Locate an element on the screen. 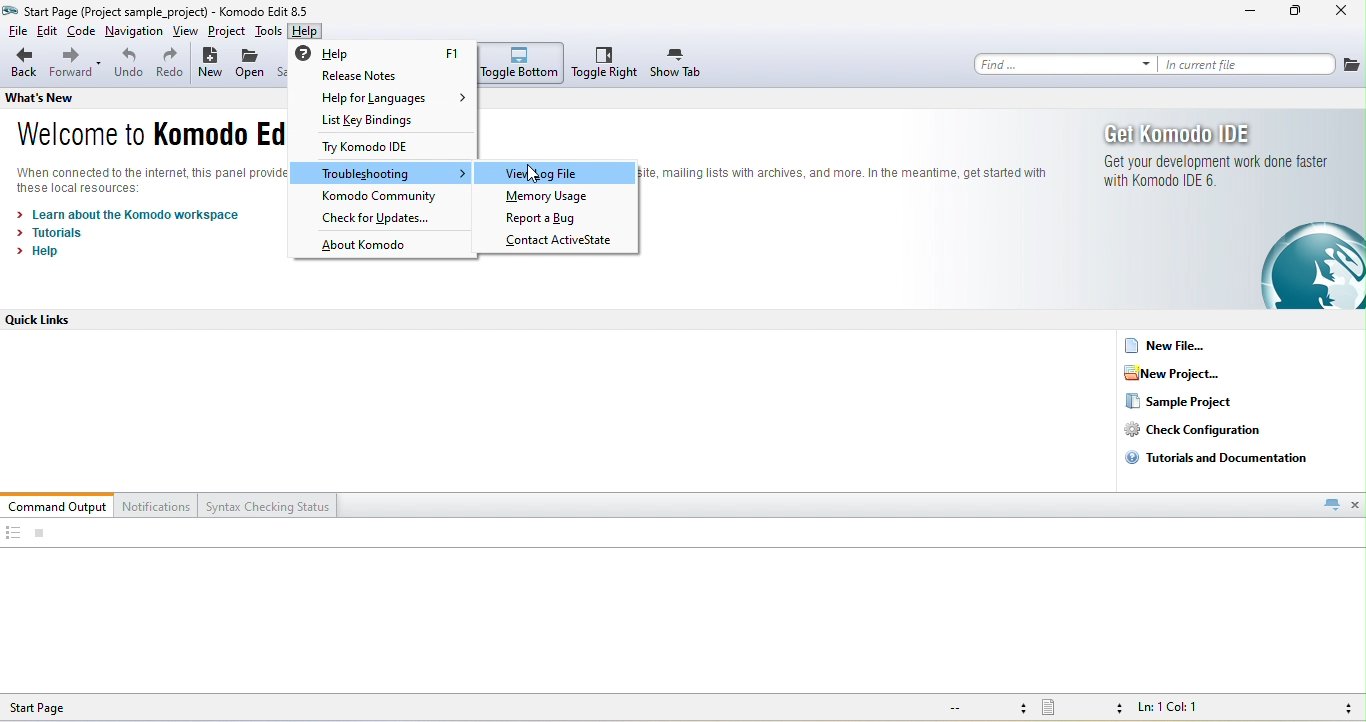  select option is located at coordinates (561, 173).